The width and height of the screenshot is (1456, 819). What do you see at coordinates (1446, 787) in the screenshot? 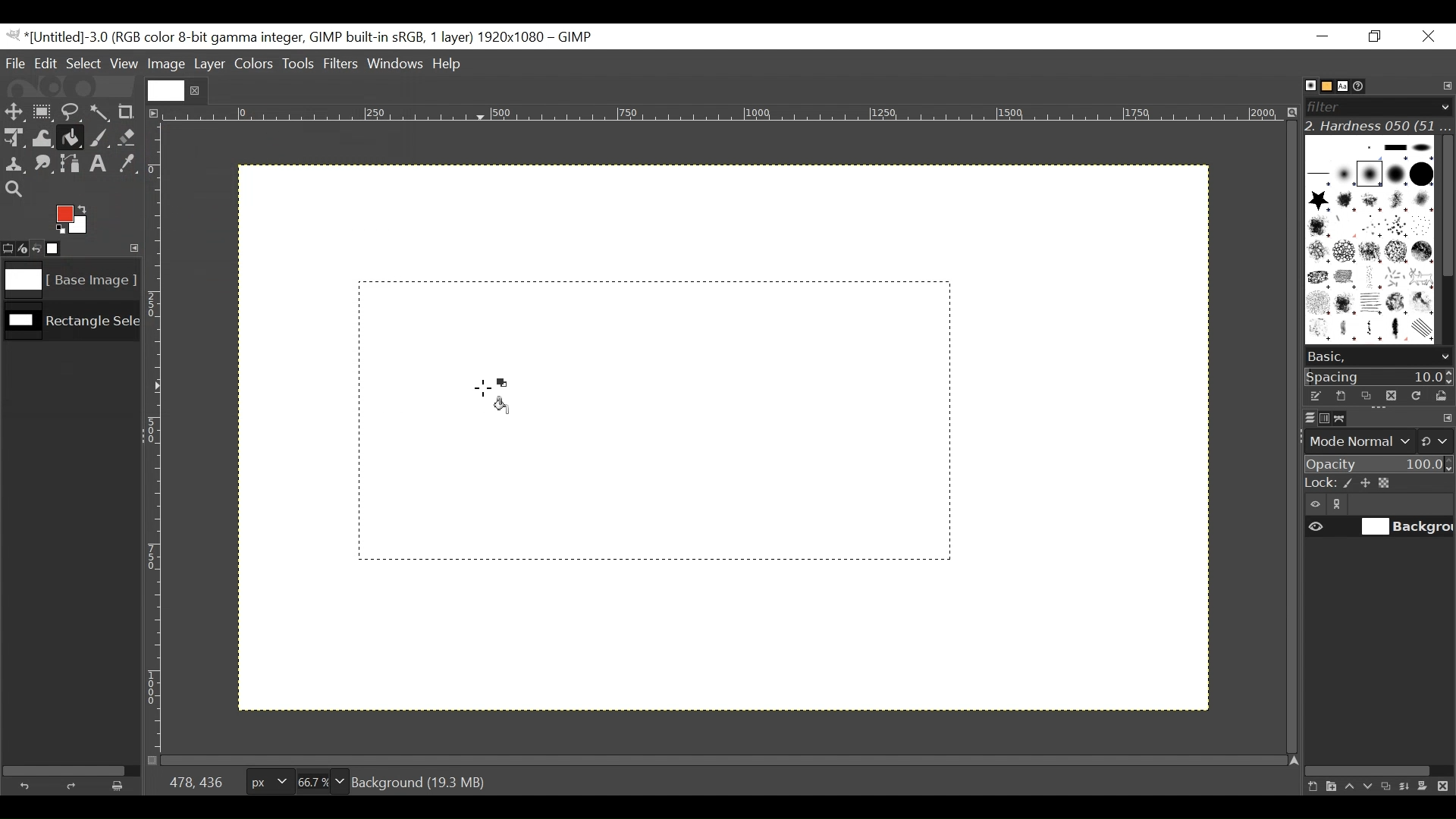
I see `Delete this layer` at bounding box center [1446, 787].